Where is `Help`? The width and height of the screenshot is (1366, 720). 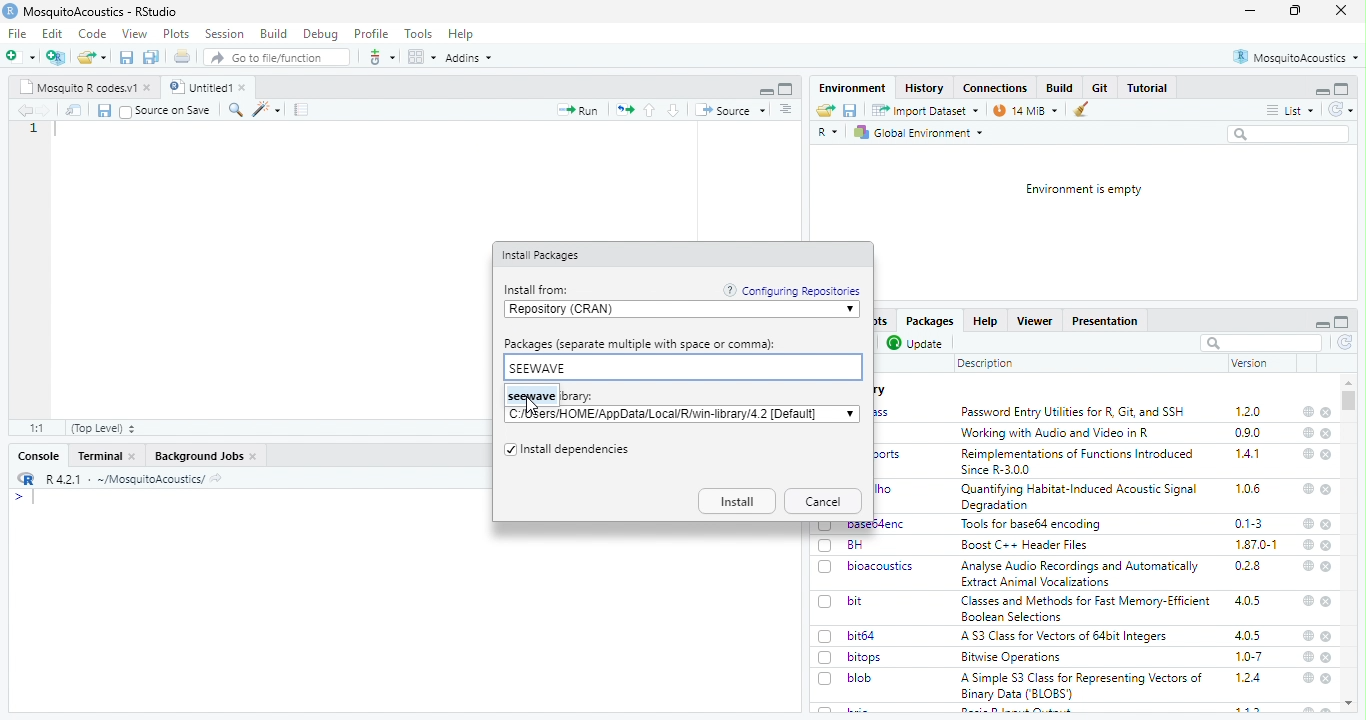
Help is located at coordinates (985, 321).